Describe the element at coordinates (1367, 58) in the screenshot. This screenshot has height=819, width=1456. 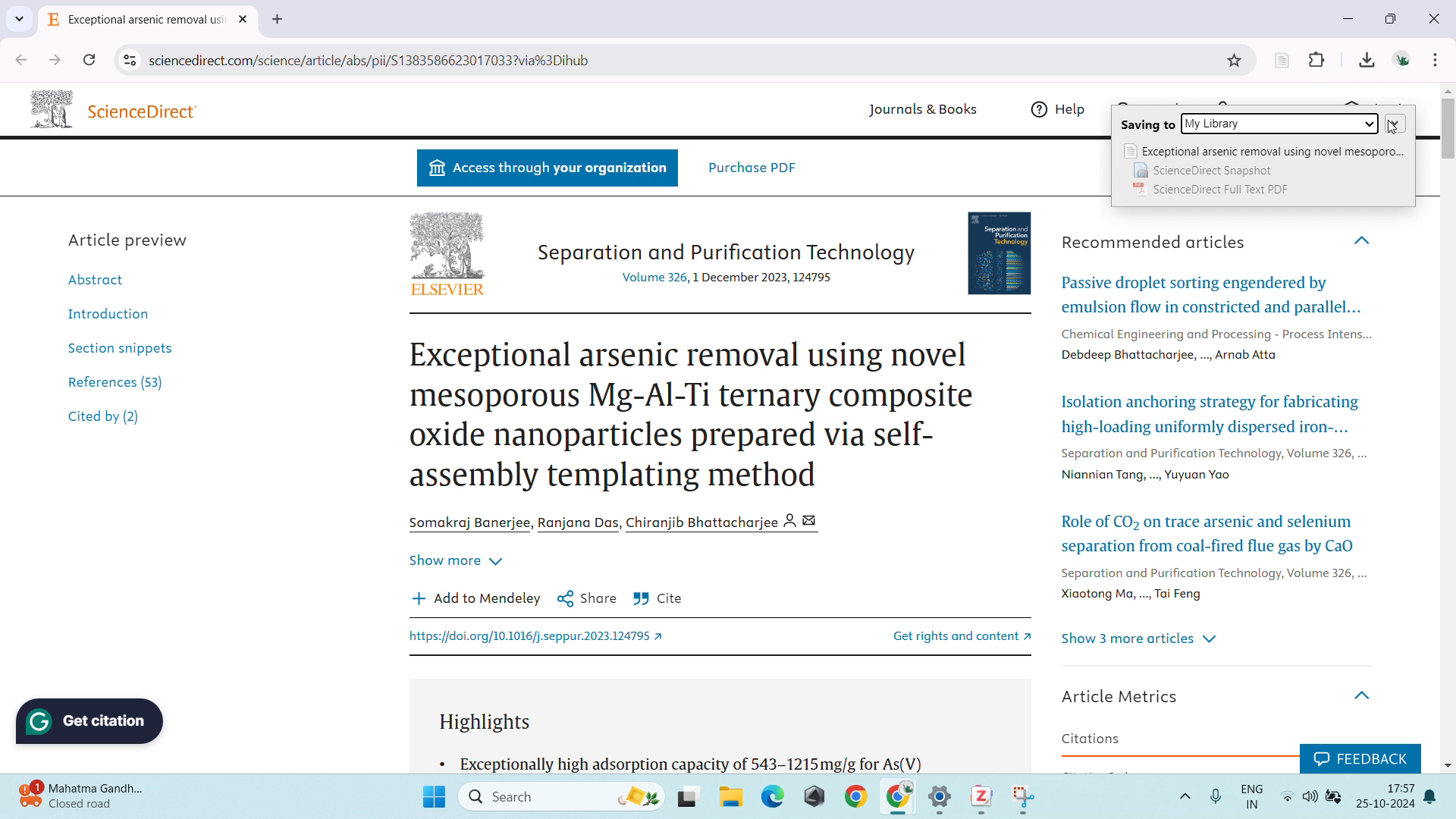
I see `downloads` at that location.